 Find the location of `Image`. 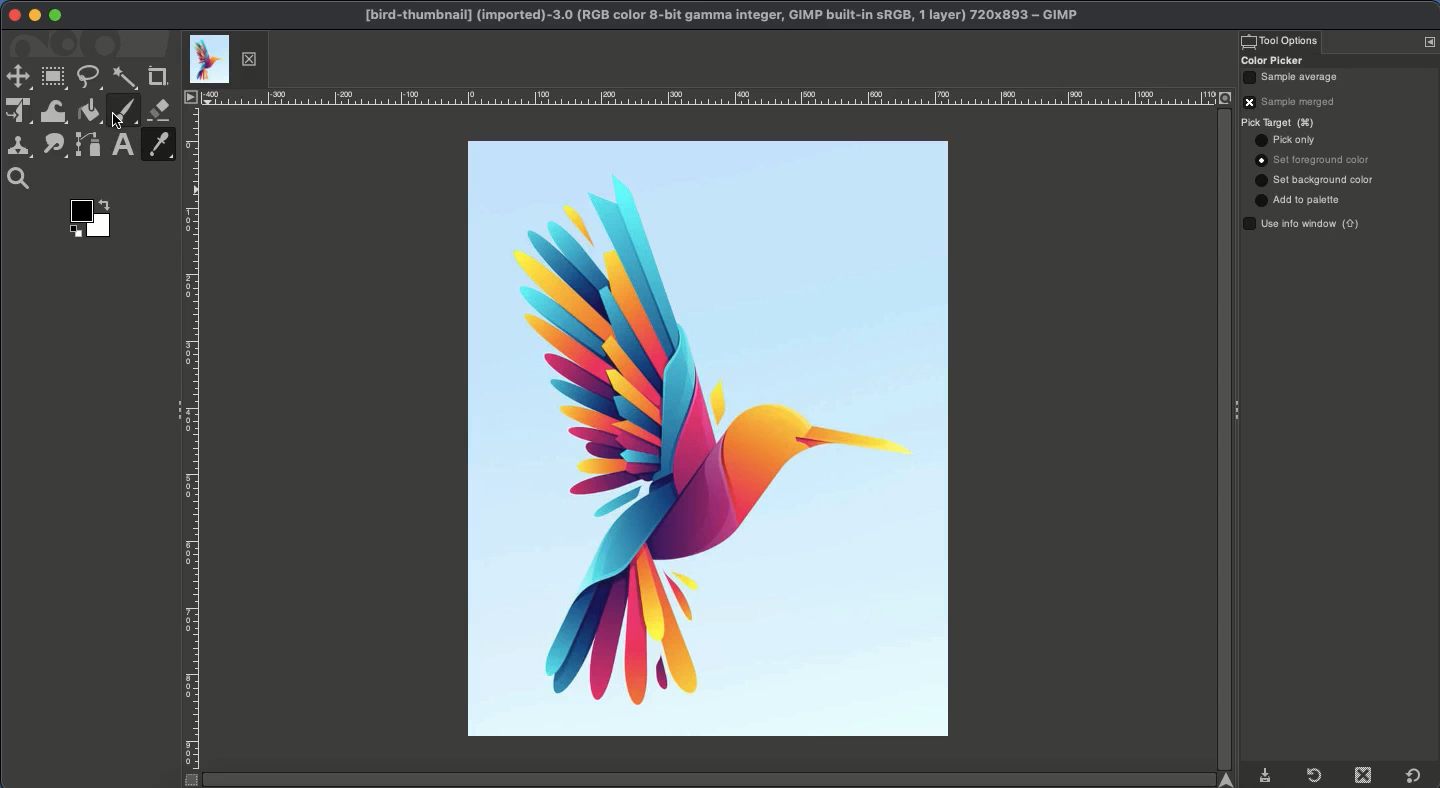

Image is located at coordinates (700, 438).